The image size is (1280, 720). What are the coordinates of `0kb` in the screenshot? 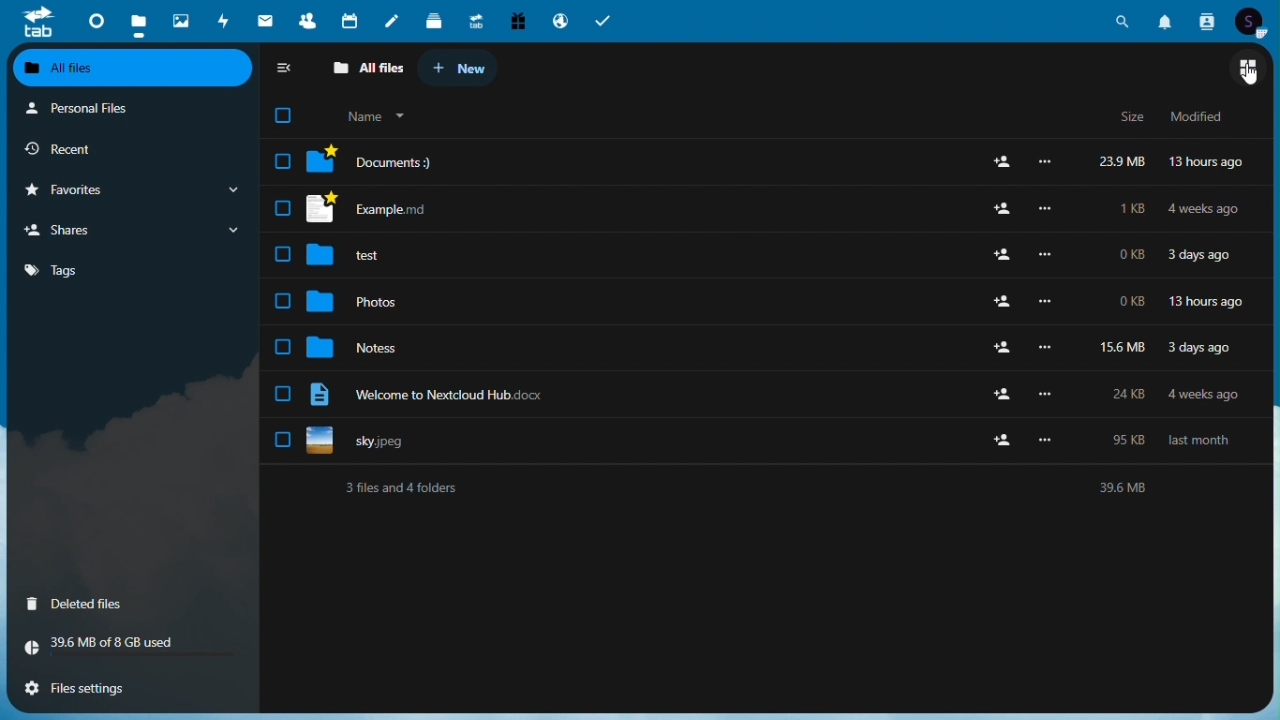 It's located at (1132, 259).